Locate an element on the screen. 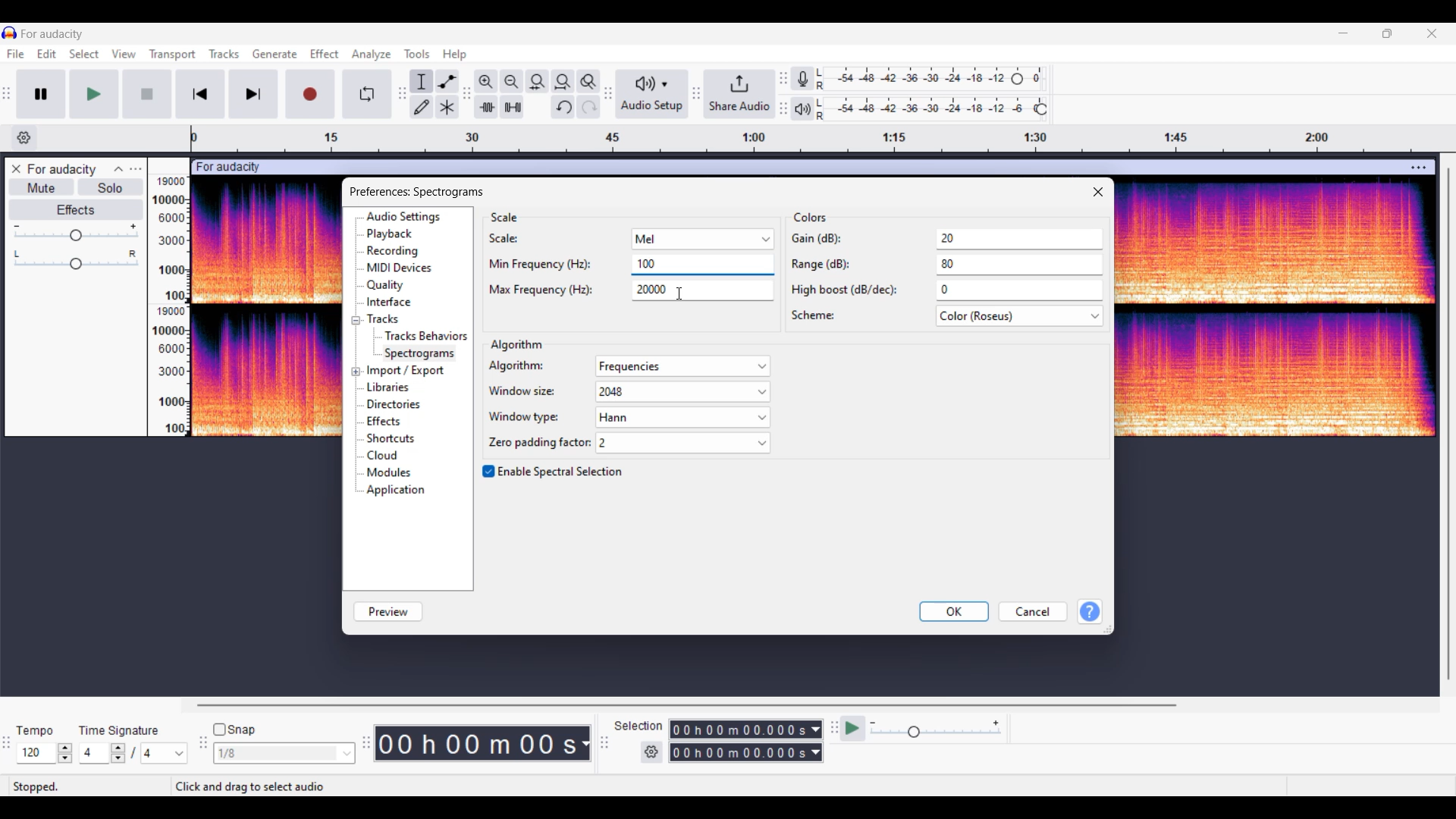  max frequency is located at coordinates (579, 291).